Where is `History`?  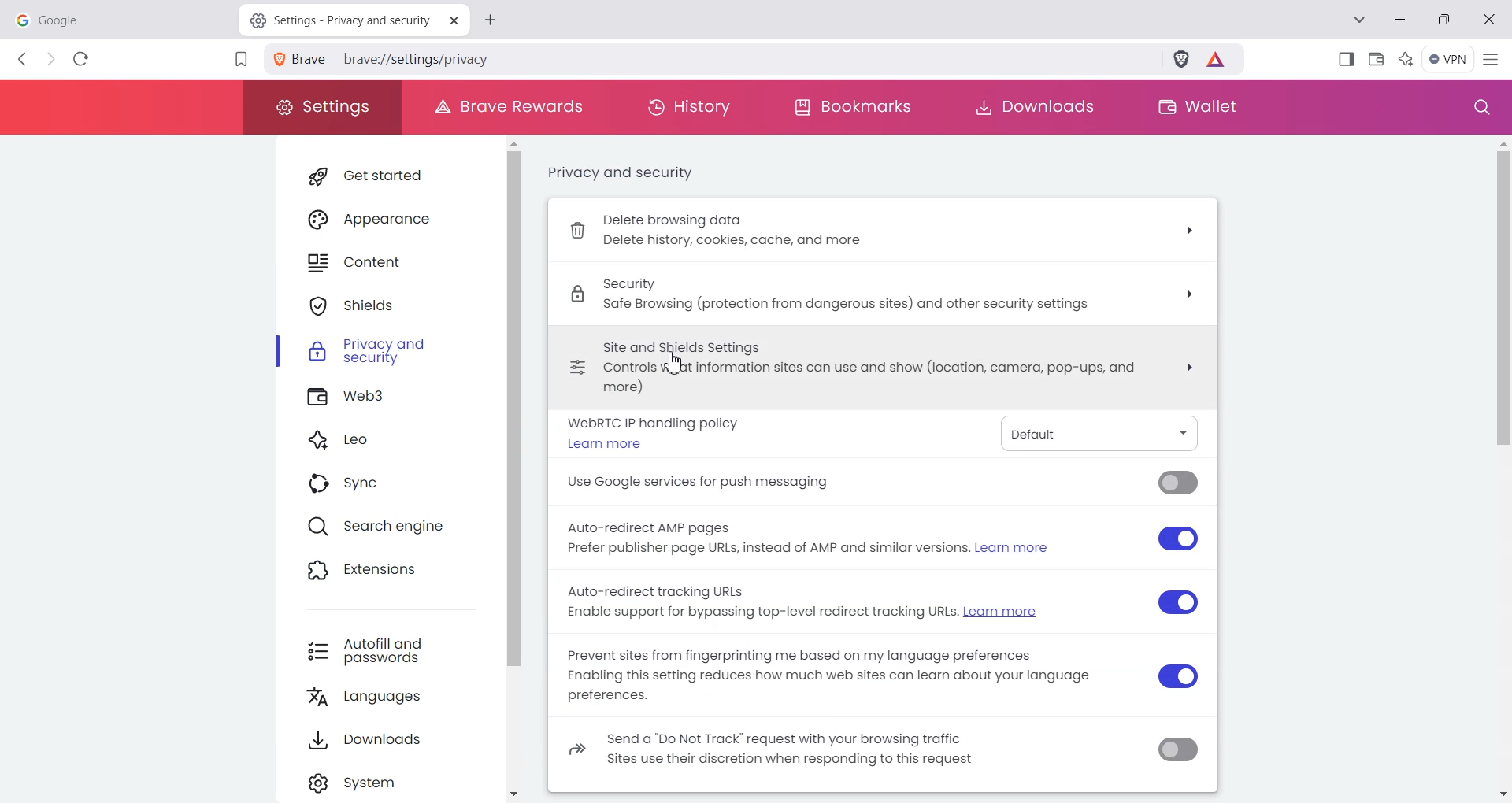
History is located at coordinates (689, 107).